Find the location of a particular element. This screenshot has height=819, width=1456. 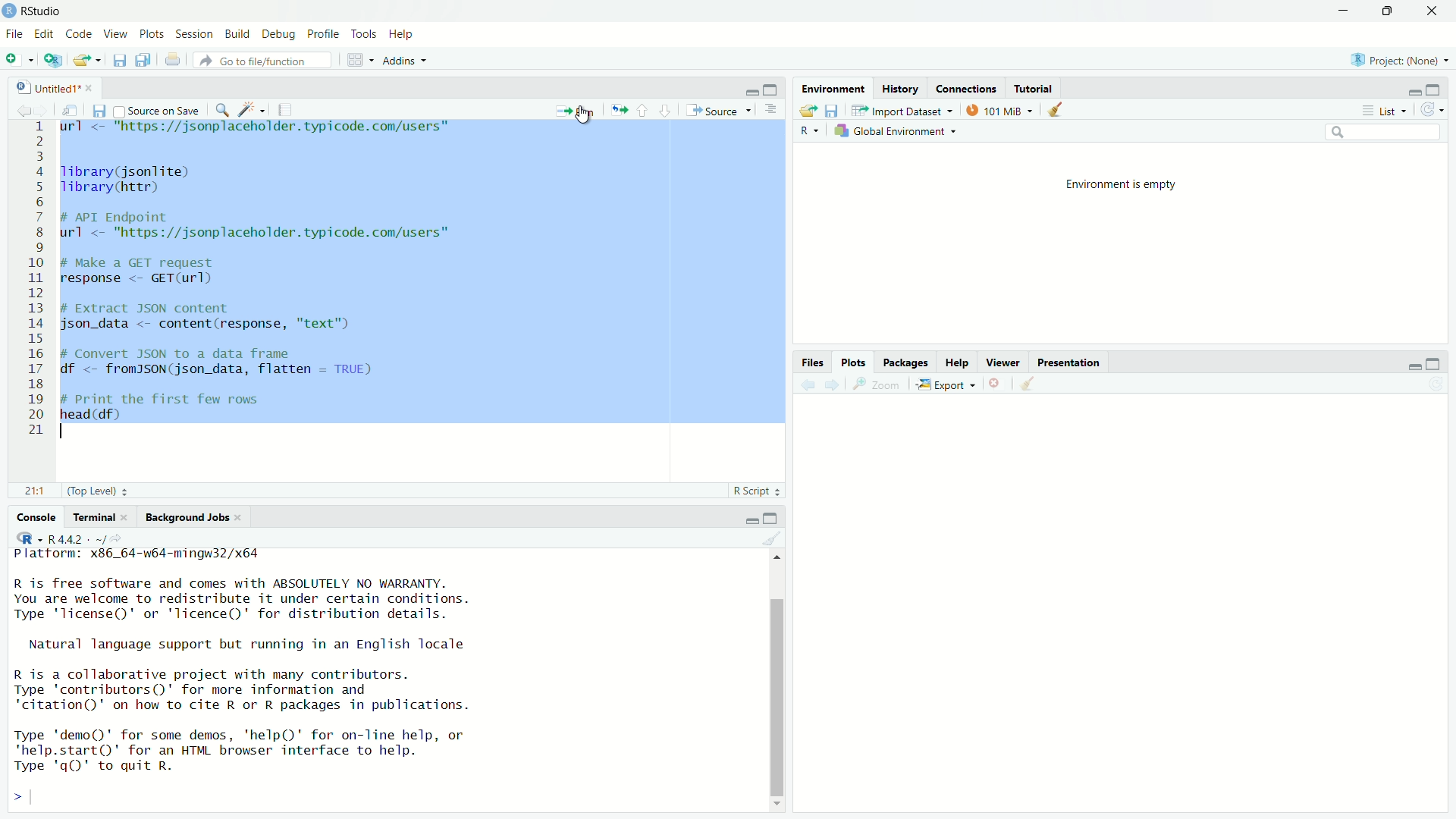

Re-run is located at coordinates (617, 108).